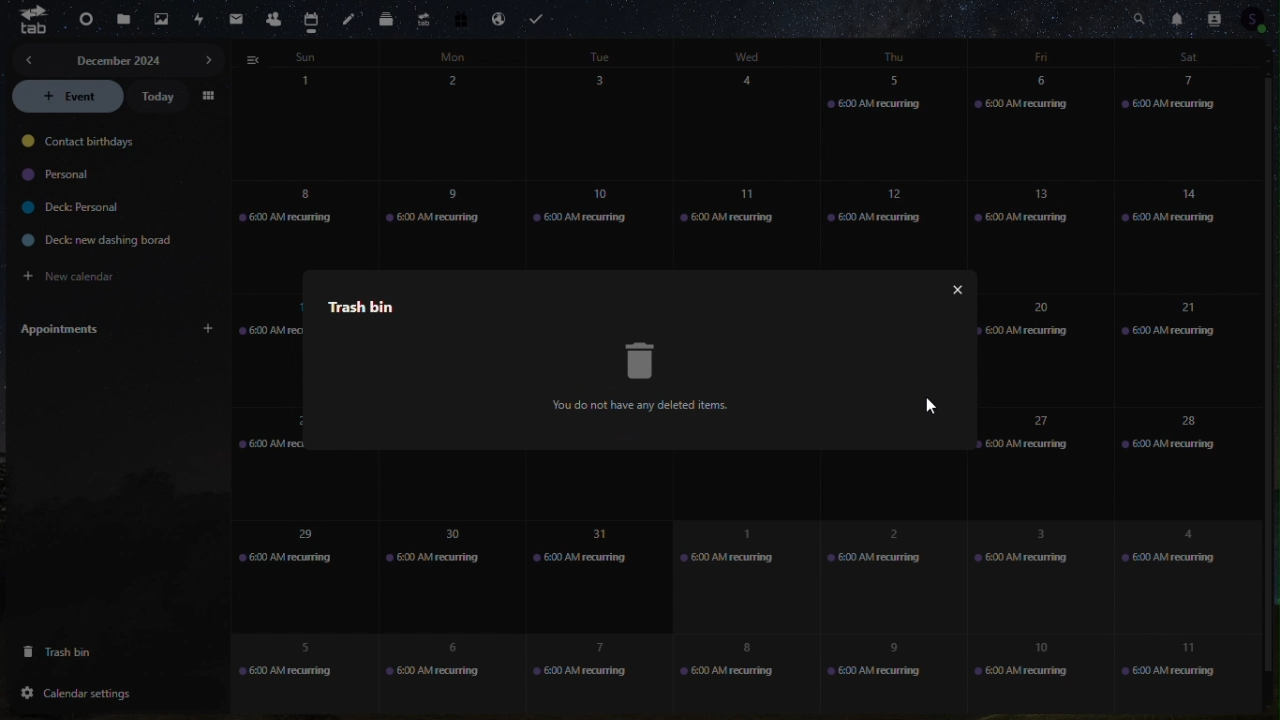  I want to click on photos, so click(158, 20).